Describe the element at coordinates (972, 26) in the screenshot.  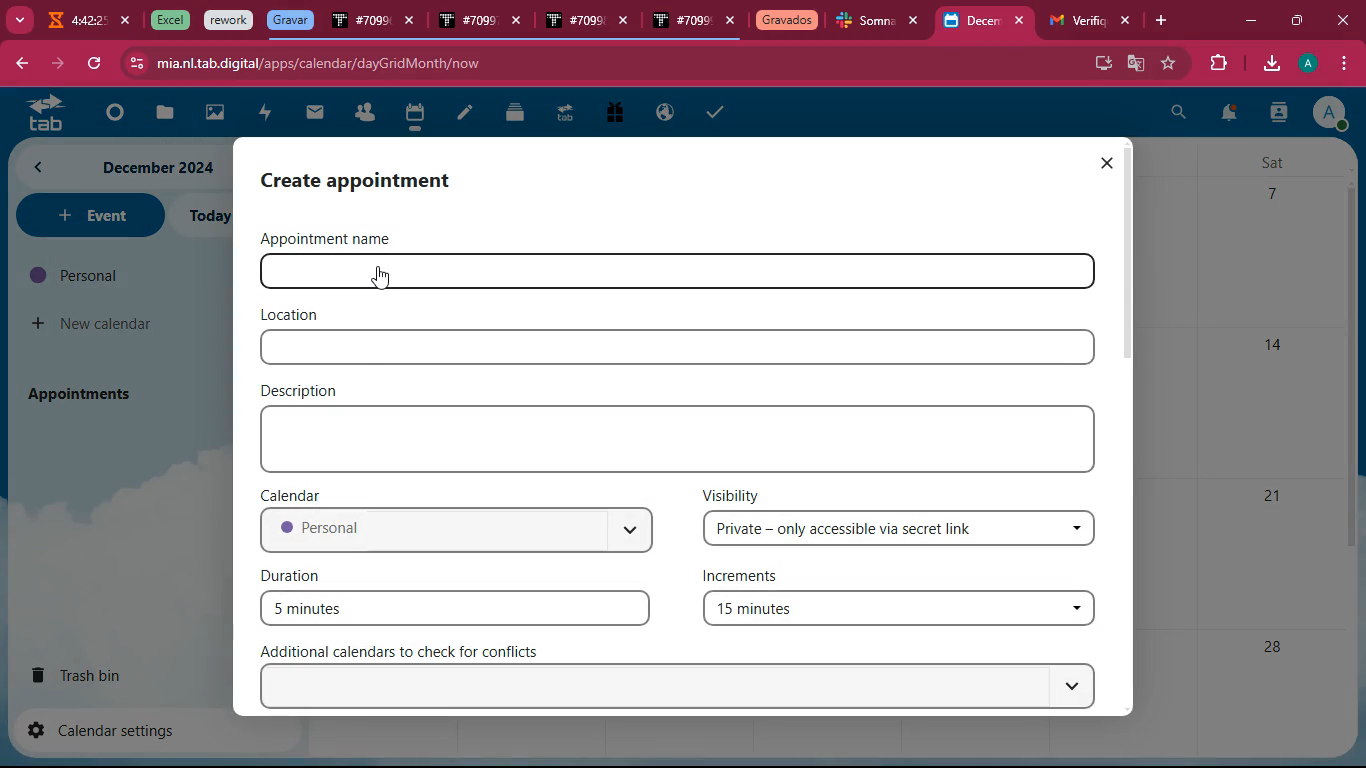
I see `current tab` at that location.